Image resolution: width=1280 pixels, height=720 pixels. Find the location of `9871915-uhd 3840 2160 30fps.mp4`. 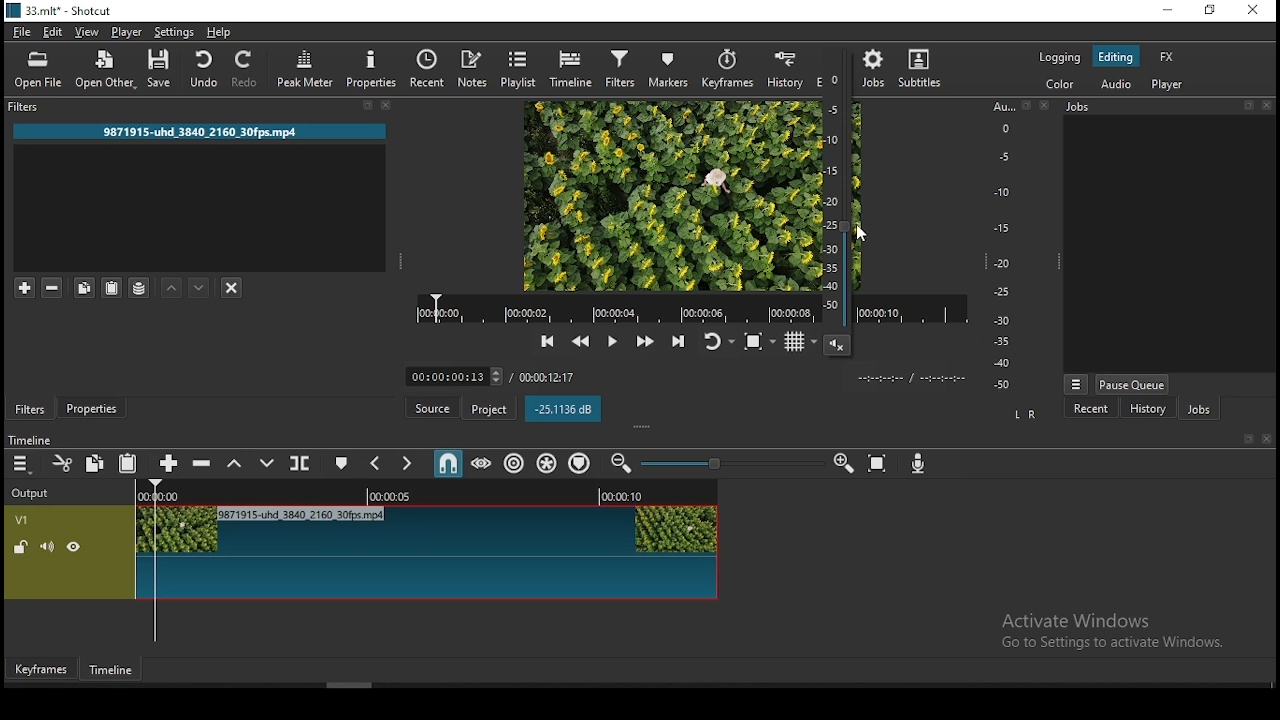

9871915-uhd 3840 2160 30fps.mp4 is located at coordinates (195, 131).